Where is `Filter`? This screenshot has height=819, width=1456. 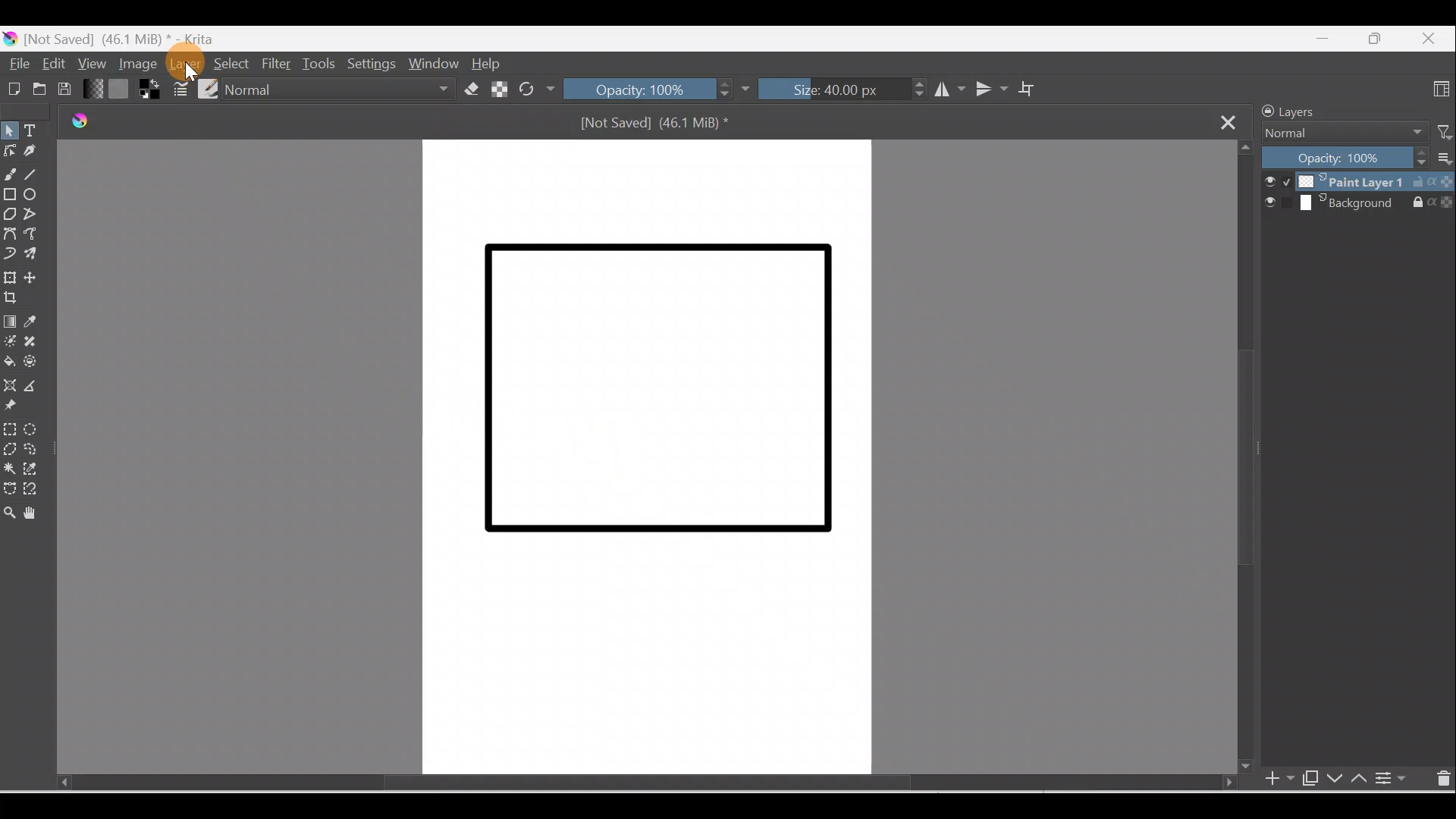
Filter is located at coordinates (278, 63).